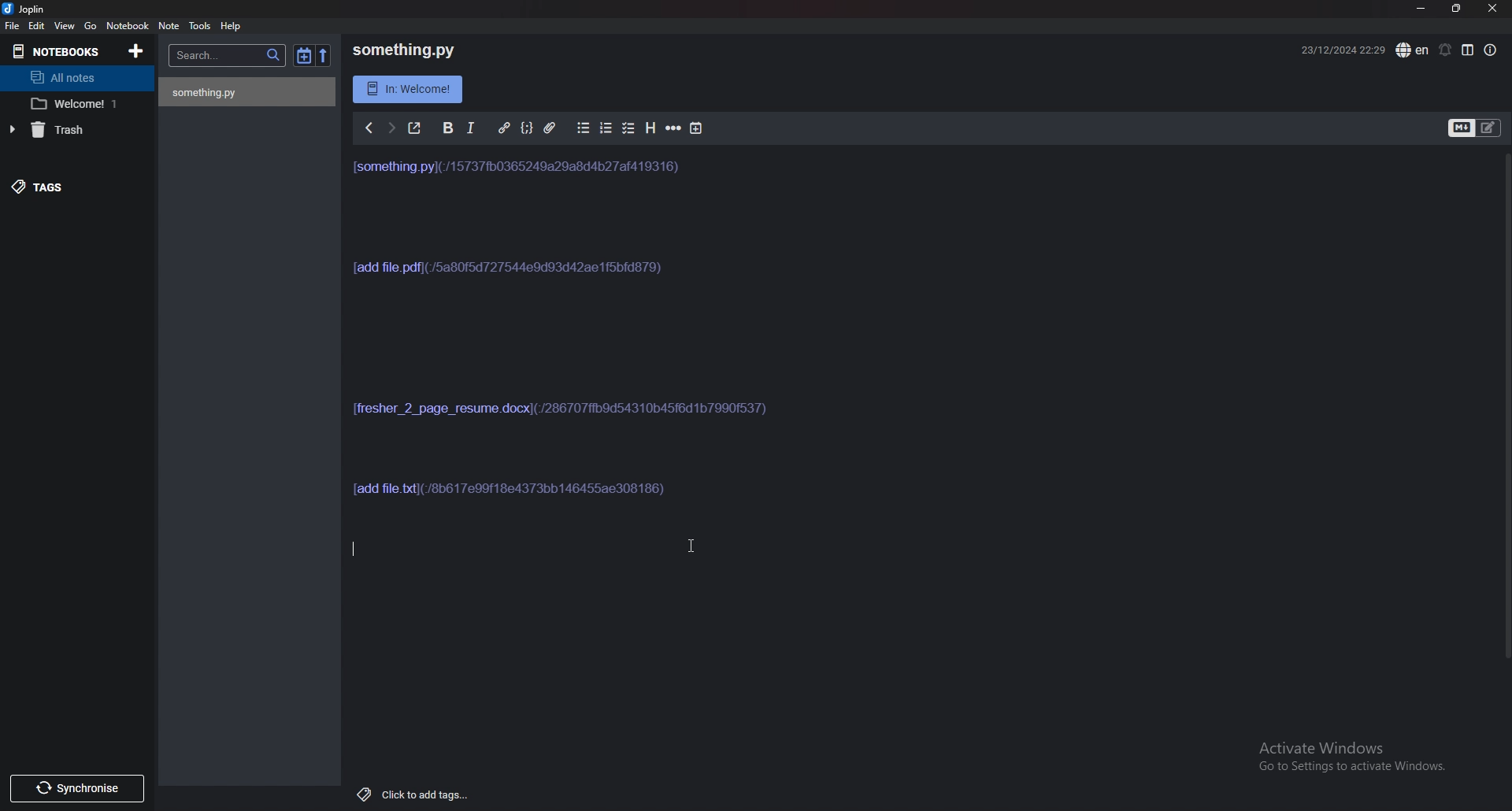  Describe the element at coordinates (233, 27) in the screenshot. I see `help` at that location.